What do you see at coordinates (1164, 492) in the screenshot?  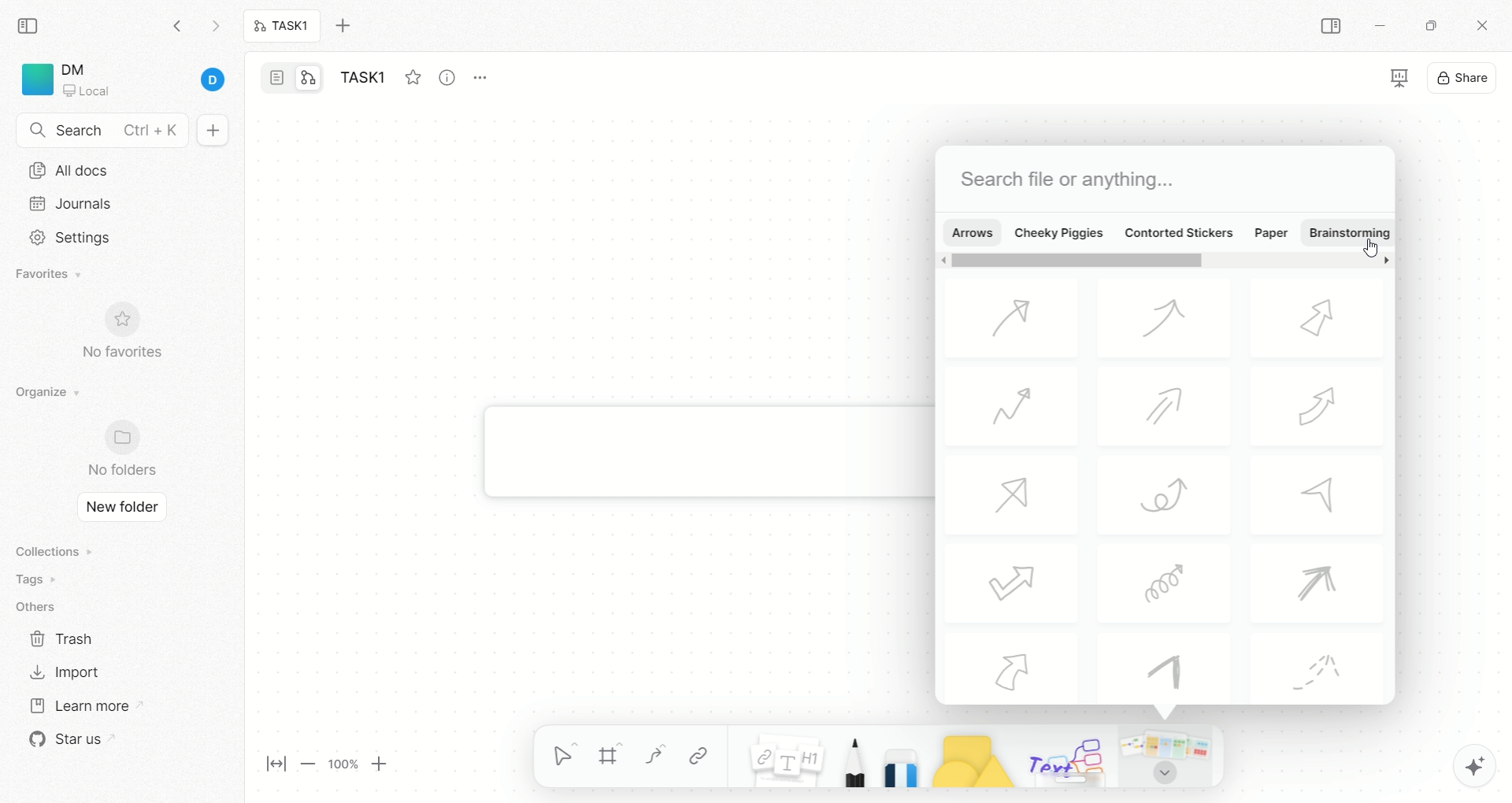 I see `arrows` at bounding box center [1164, 492].